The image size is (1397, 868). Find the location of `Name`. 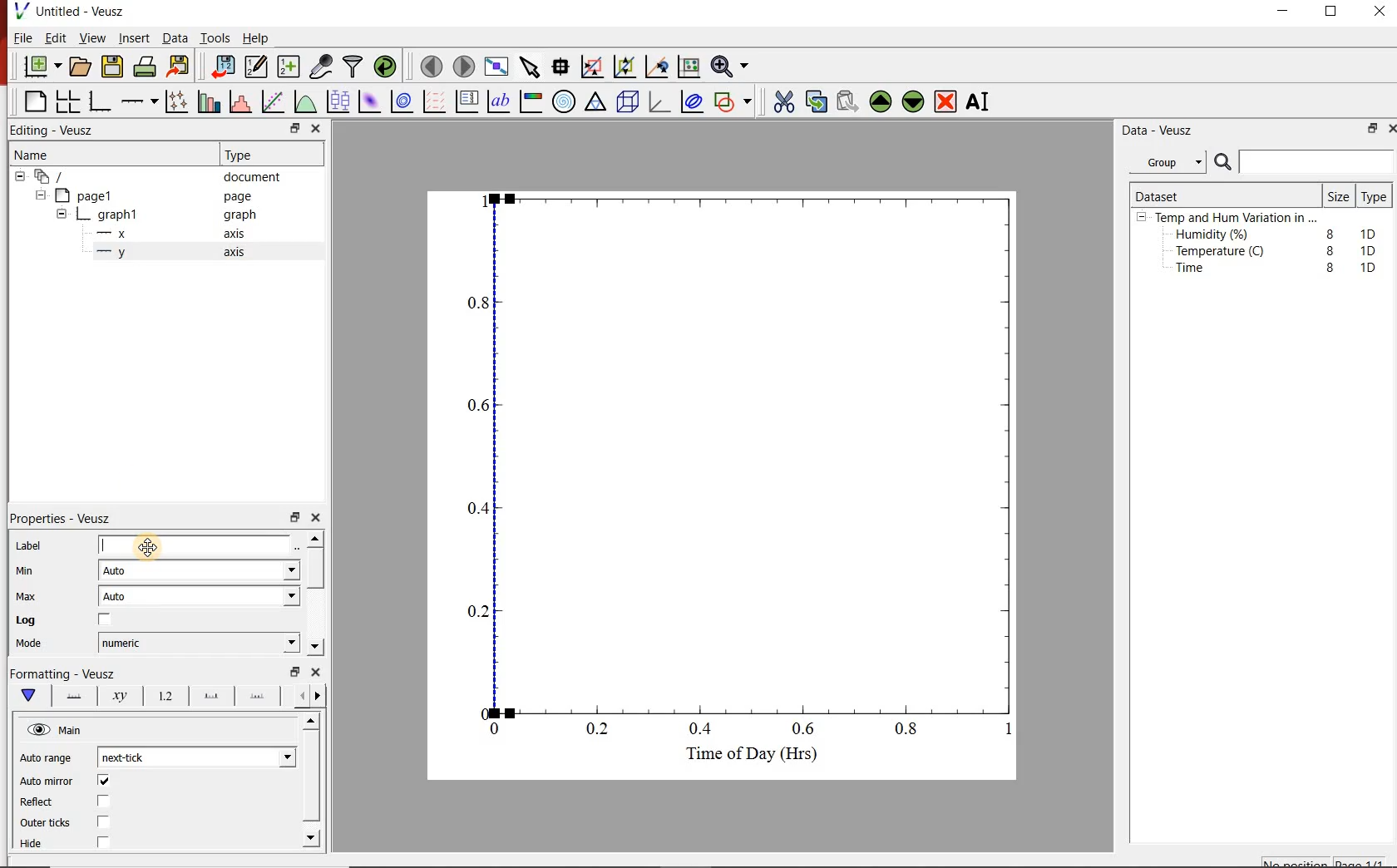

Name is located at coordinates (47, 156).